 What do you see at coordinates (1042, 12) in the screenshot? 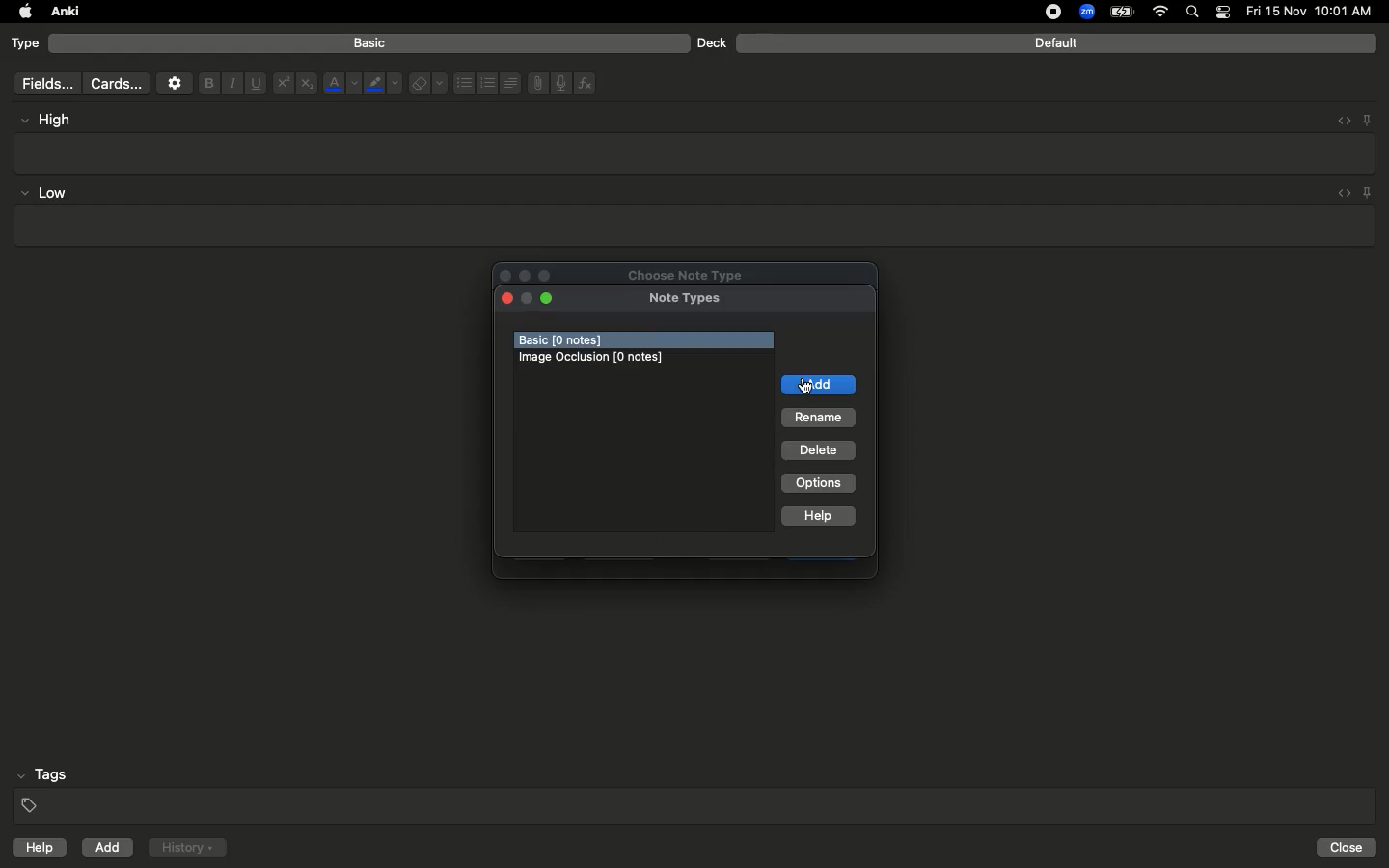
I see `recording` at bounding box center [1042, 12].